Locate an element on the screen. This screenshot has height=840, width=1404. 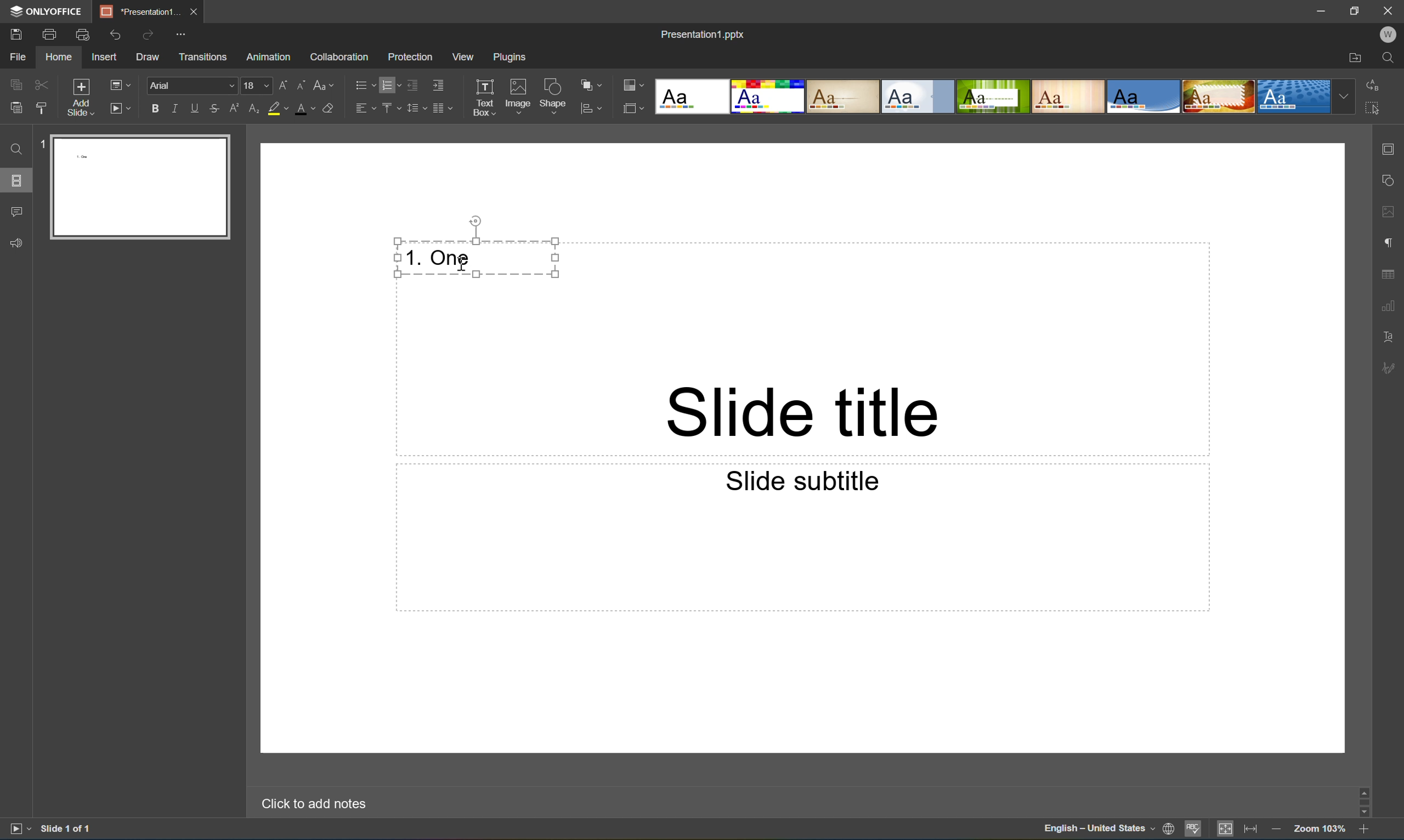
Font is located at coordinates (193, 85).